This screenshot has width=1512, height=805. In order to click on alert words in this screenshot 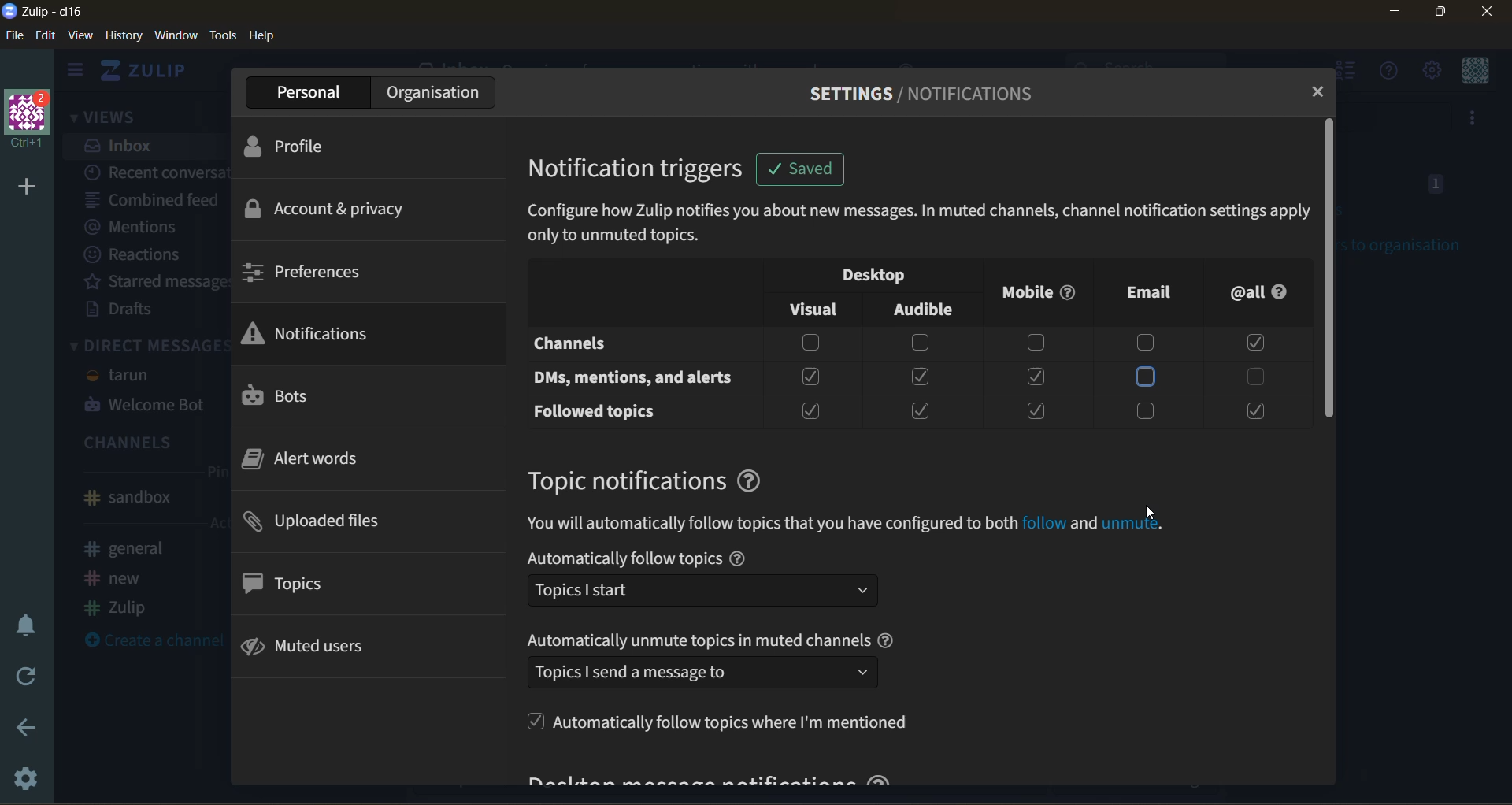, I will do `click(314, 464)`.